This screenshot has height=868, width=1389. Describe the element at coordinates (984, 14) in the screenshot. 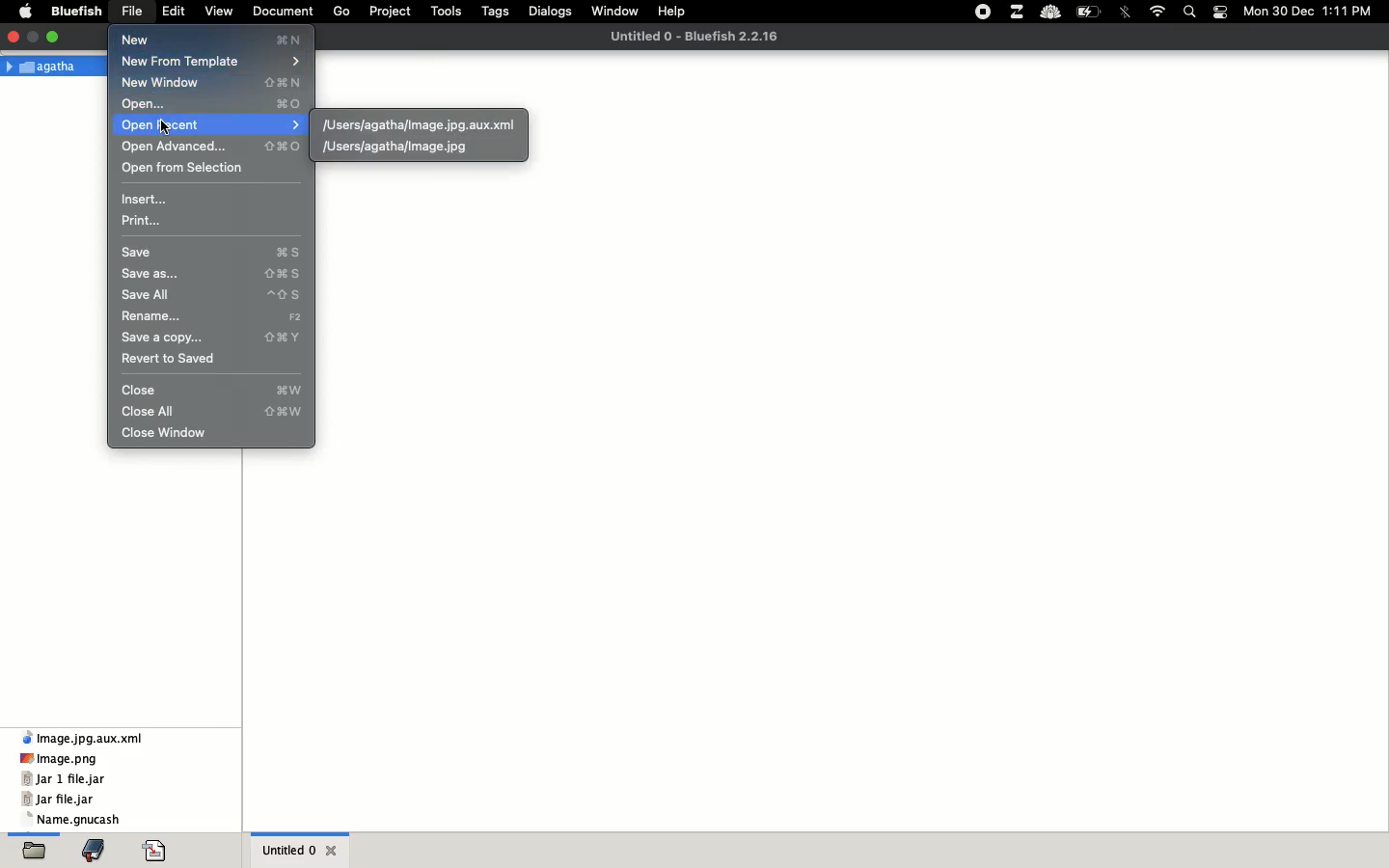

I see `recording` at that location.